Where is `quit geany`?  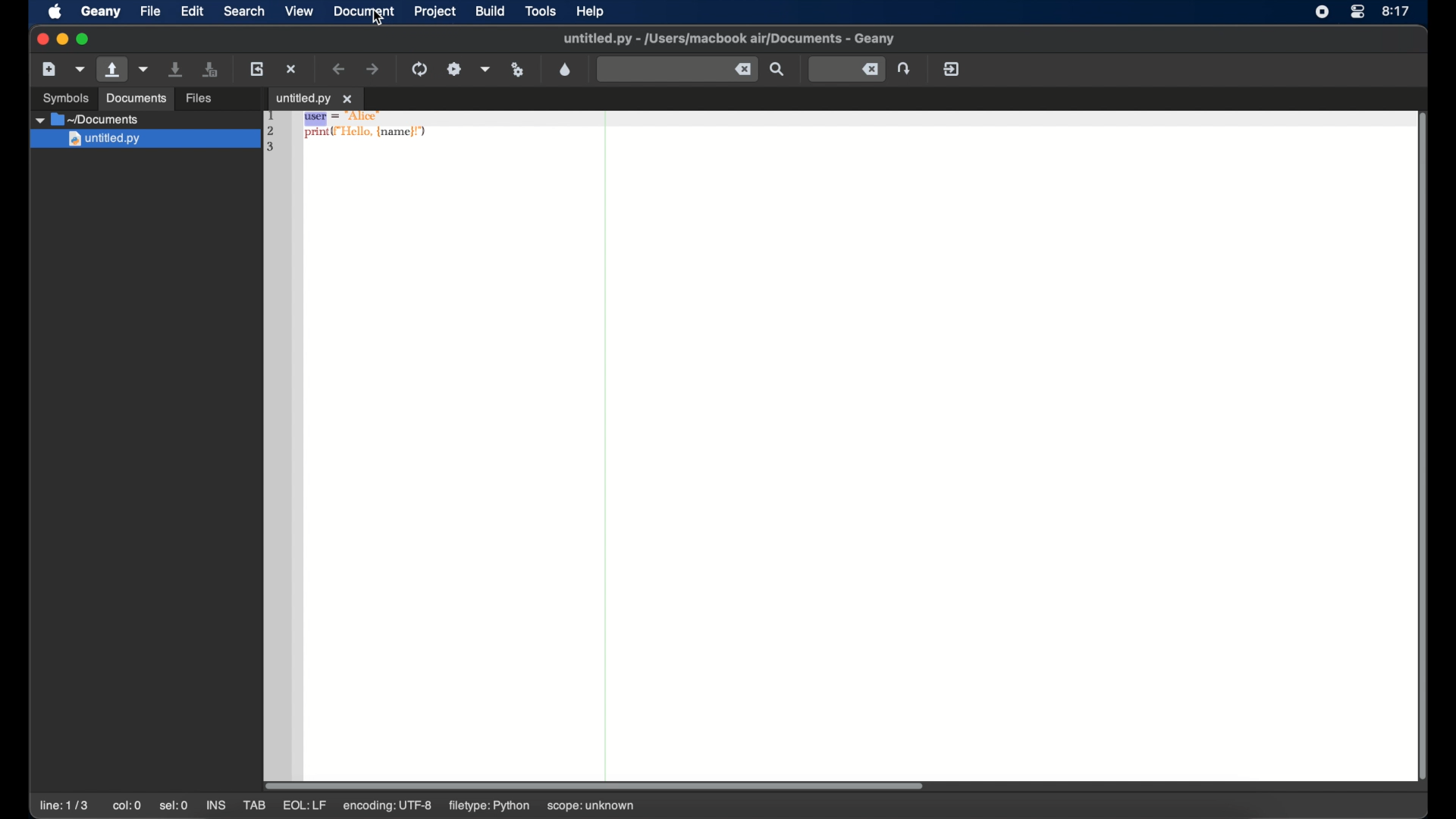 quit geany is located at coordinates (952, 68).